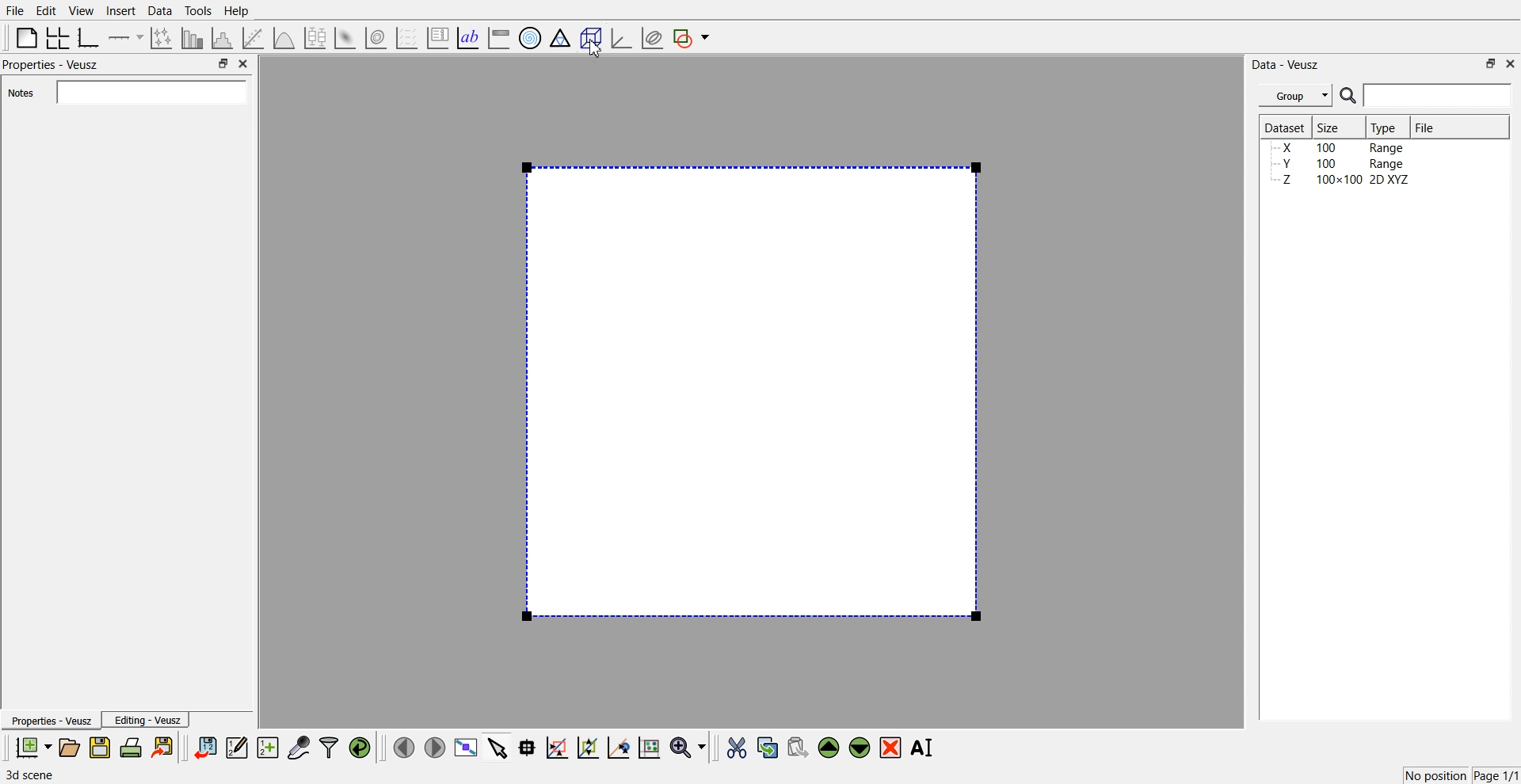 Image resolution: width=1521 pixels, height=784 pixels. What do you see at coordinates (284, 38) in the screenshot?
I see `3D Function` at bounding box center [284, 38].